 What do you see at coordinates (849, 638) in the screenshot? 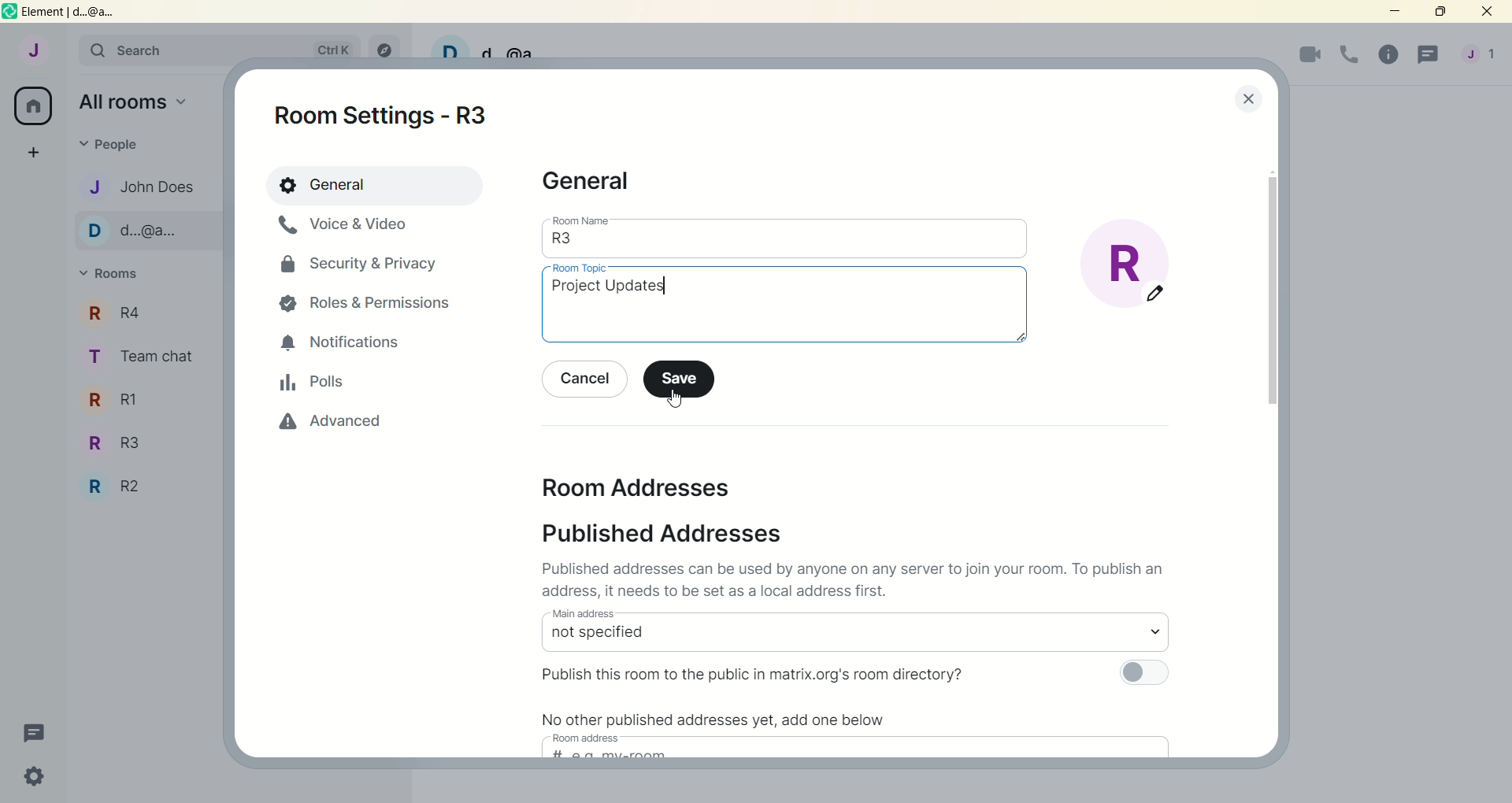
I see `select main address` at bounding box center [849, 638].